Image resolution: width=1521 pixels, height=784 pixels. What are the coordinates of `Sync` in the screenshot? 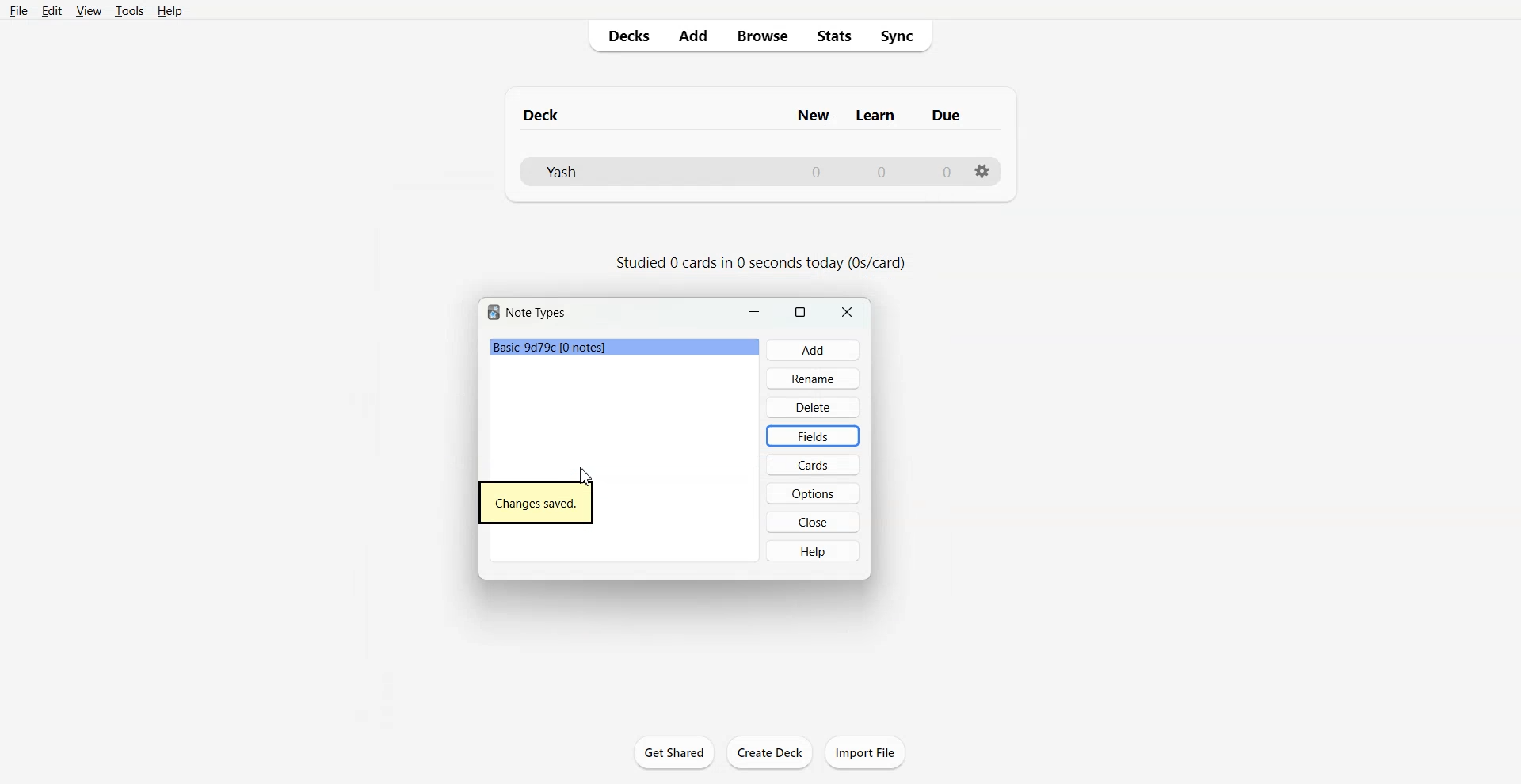 It's located at (902, 36).